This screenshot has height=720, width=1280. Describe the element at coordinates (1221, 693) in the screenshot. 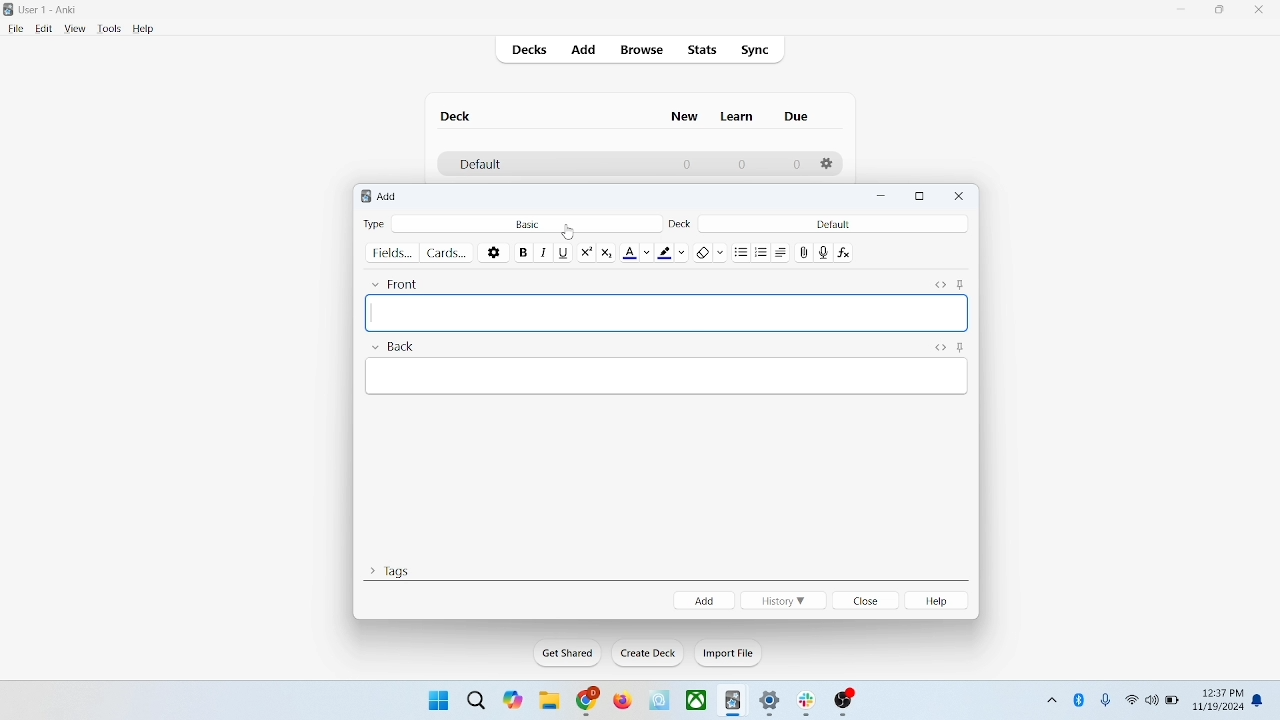

I see `12:37 PM` at that location.